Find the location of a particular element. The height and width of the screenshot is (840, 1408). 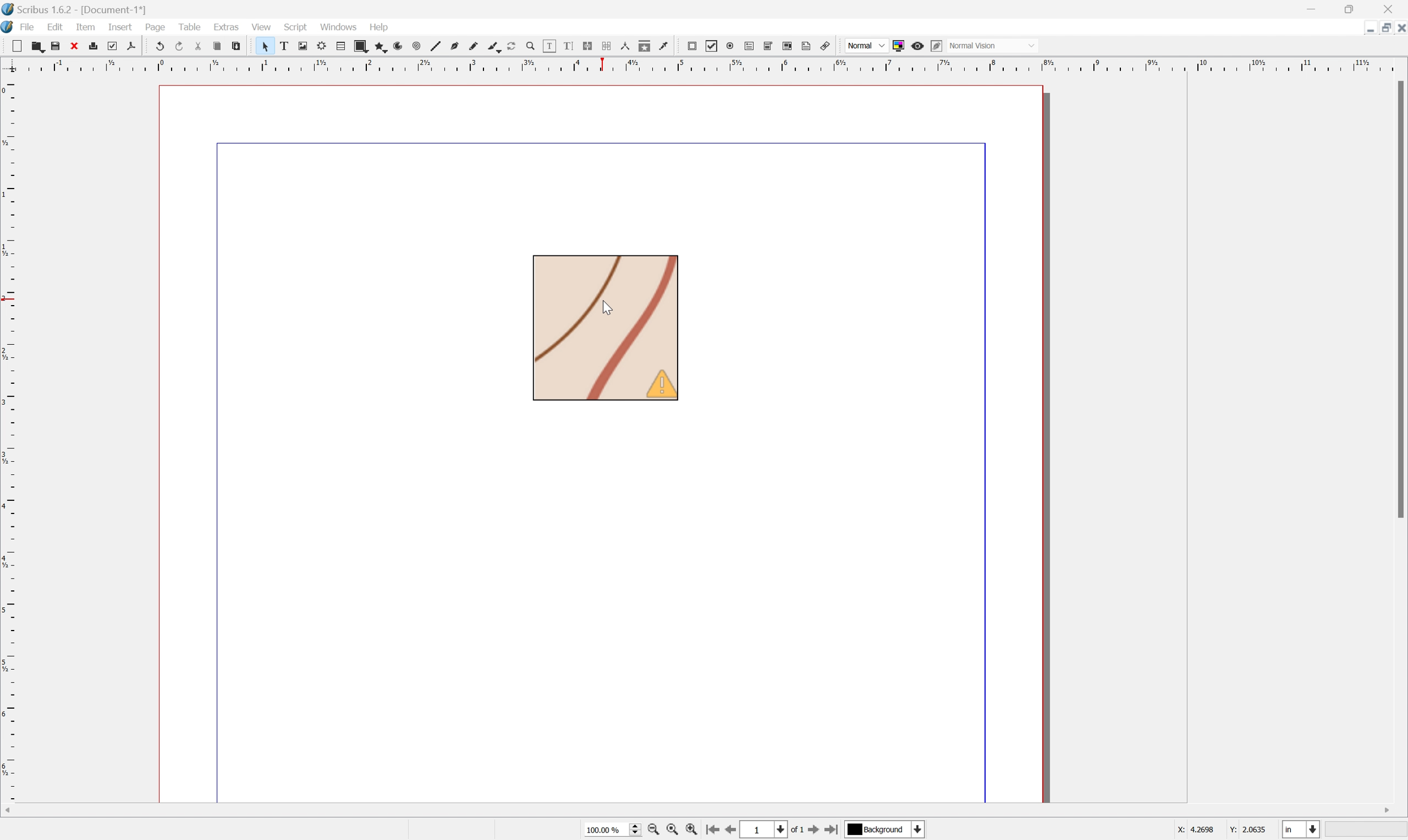

Text frame is located at coordinates (289, 45).